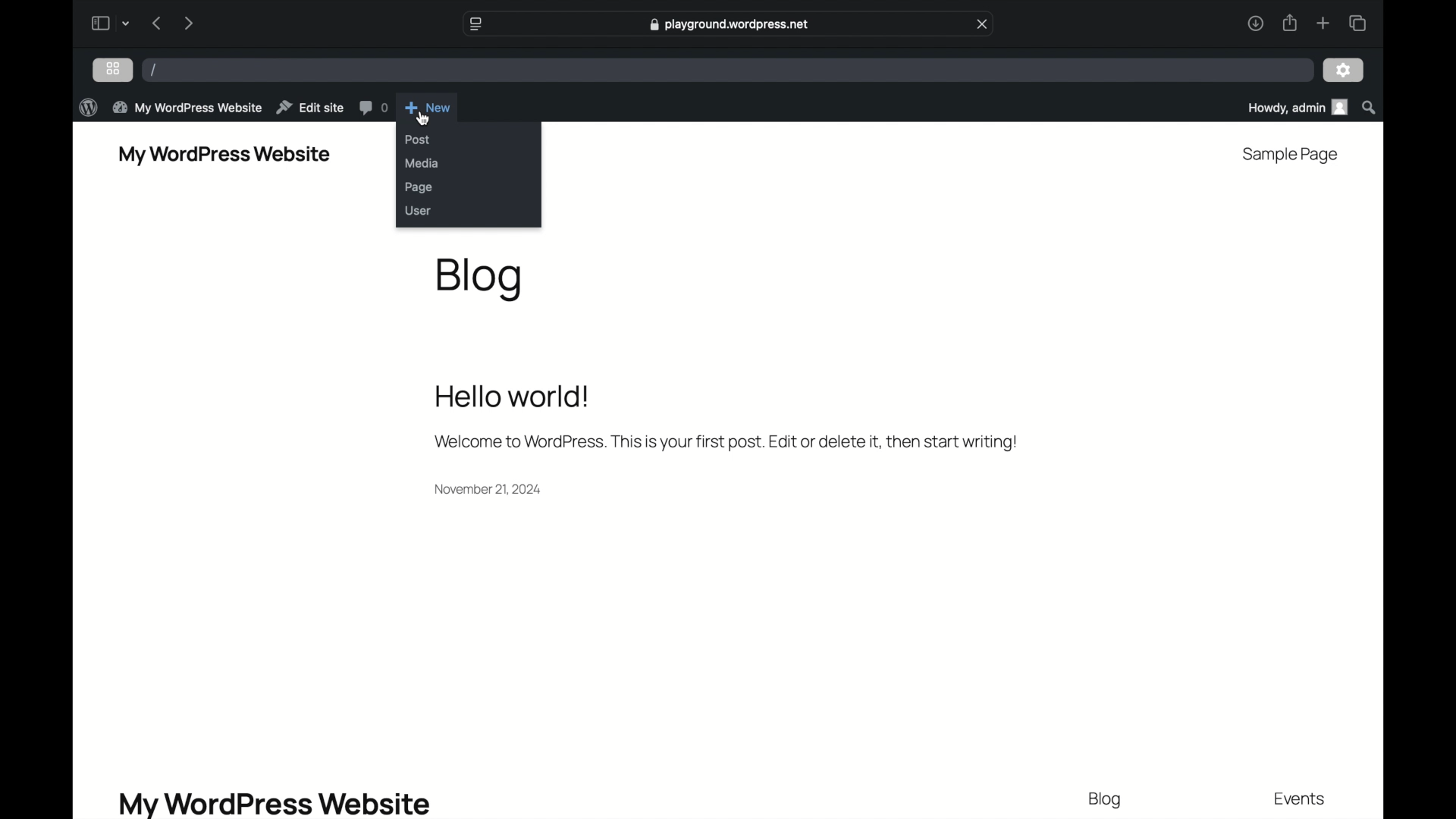 Image resolution: width=1456 pixels, height=819 pixels. What do you see at coordinates (310, 107) in the screenshot?
I see `edit site` at bounding box center [310, 107].